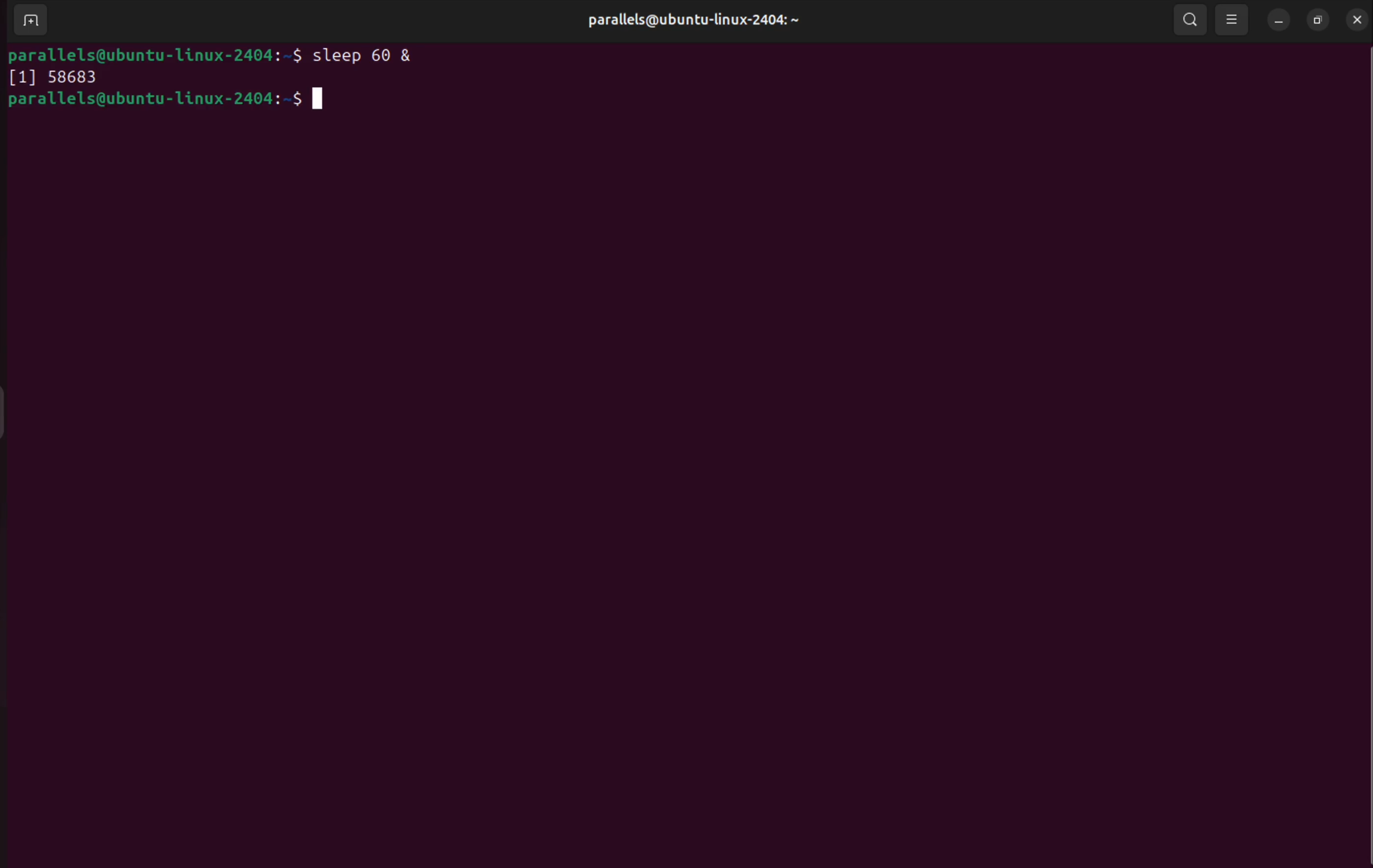  What do you see at coordinates (1355, 18) in the screenshot?
I see `close` at bounding box center [1355, 18].